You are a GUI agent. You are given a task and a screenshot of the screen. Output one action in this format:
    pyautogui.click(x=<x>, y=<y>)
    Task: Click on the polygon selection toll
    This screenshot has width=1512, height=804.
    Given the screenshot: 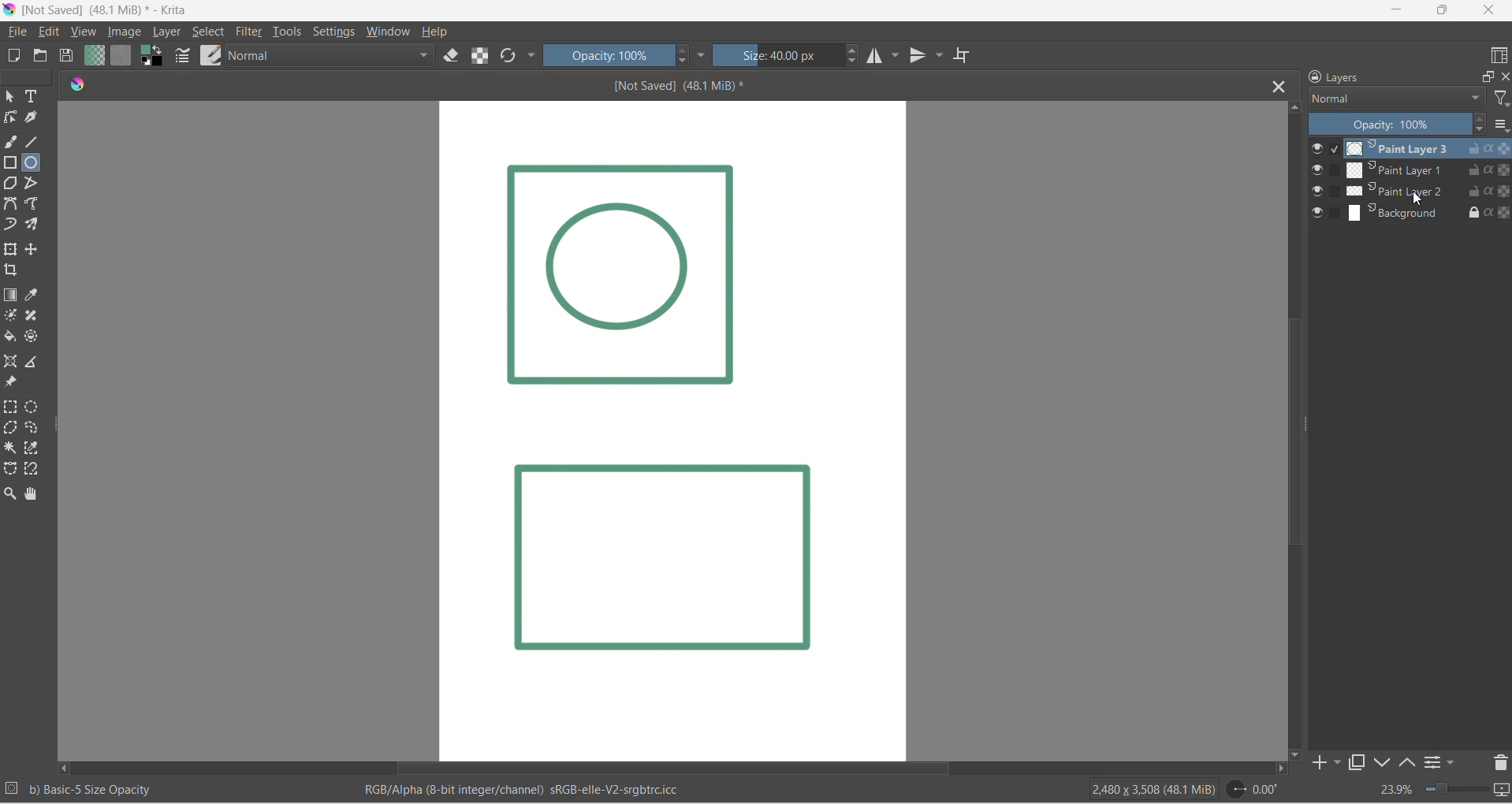 What is the action you would take?
    pyautogui.click(x=11, y=429)
    